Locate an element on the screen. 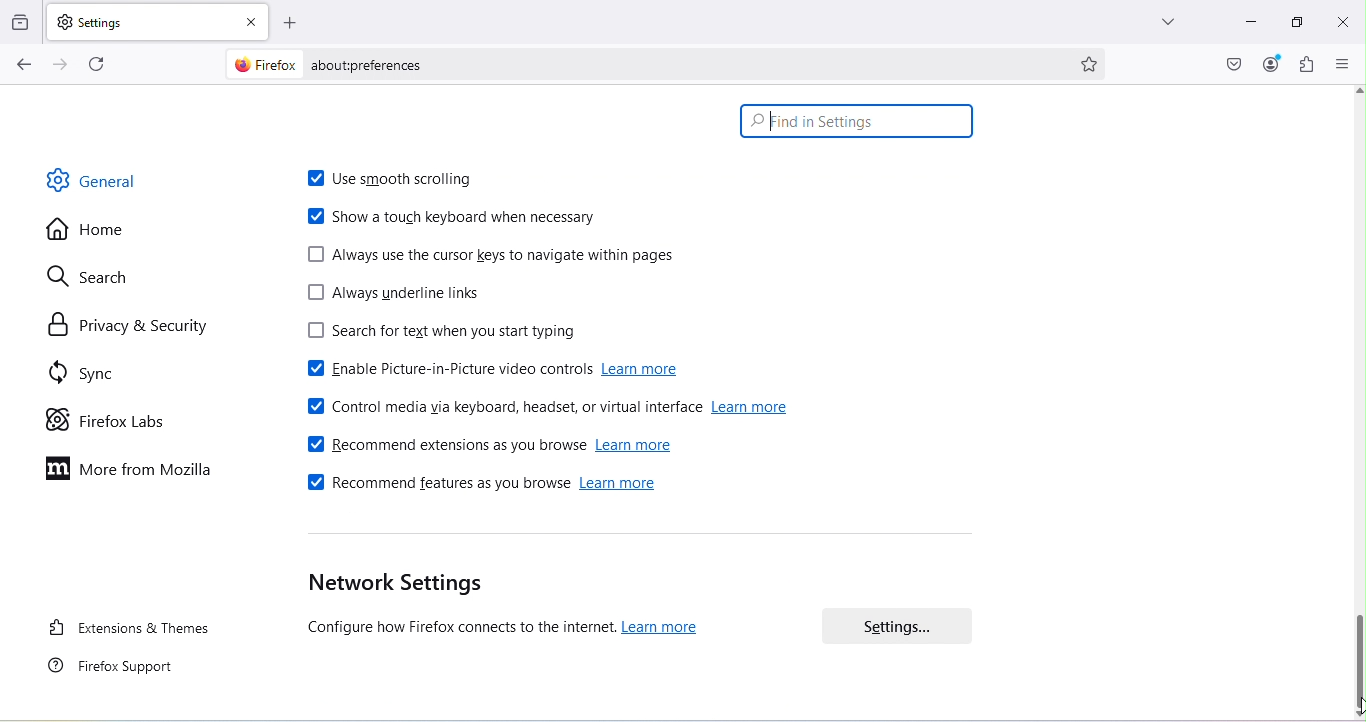  move up is located at coordinates (1357, 90).